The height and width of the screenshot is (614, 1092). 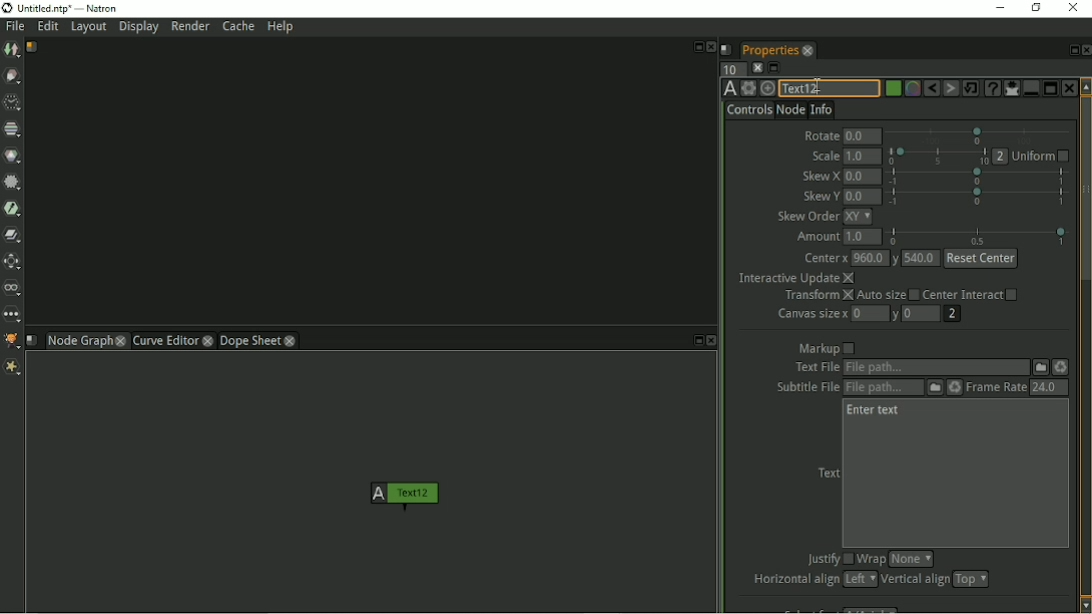 I want to click on Markup, so click(x=827, y=348).